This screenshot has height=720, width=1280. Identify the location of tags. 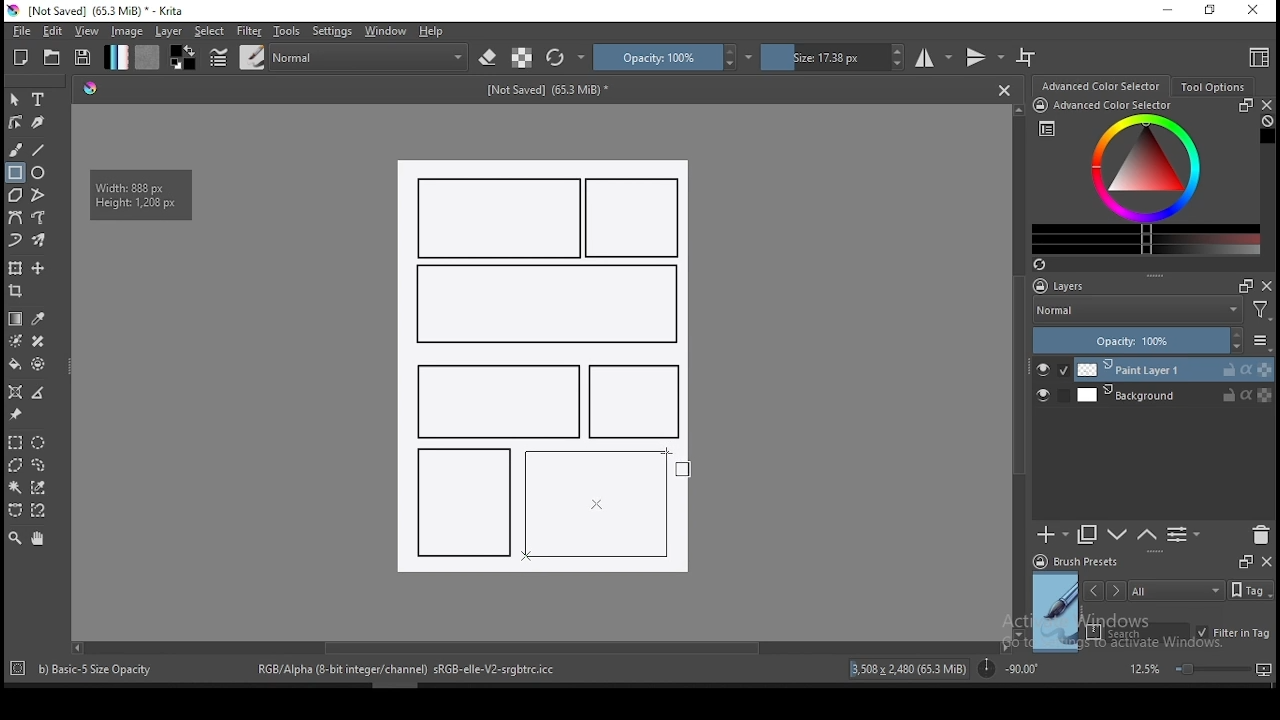
(1176, 590).